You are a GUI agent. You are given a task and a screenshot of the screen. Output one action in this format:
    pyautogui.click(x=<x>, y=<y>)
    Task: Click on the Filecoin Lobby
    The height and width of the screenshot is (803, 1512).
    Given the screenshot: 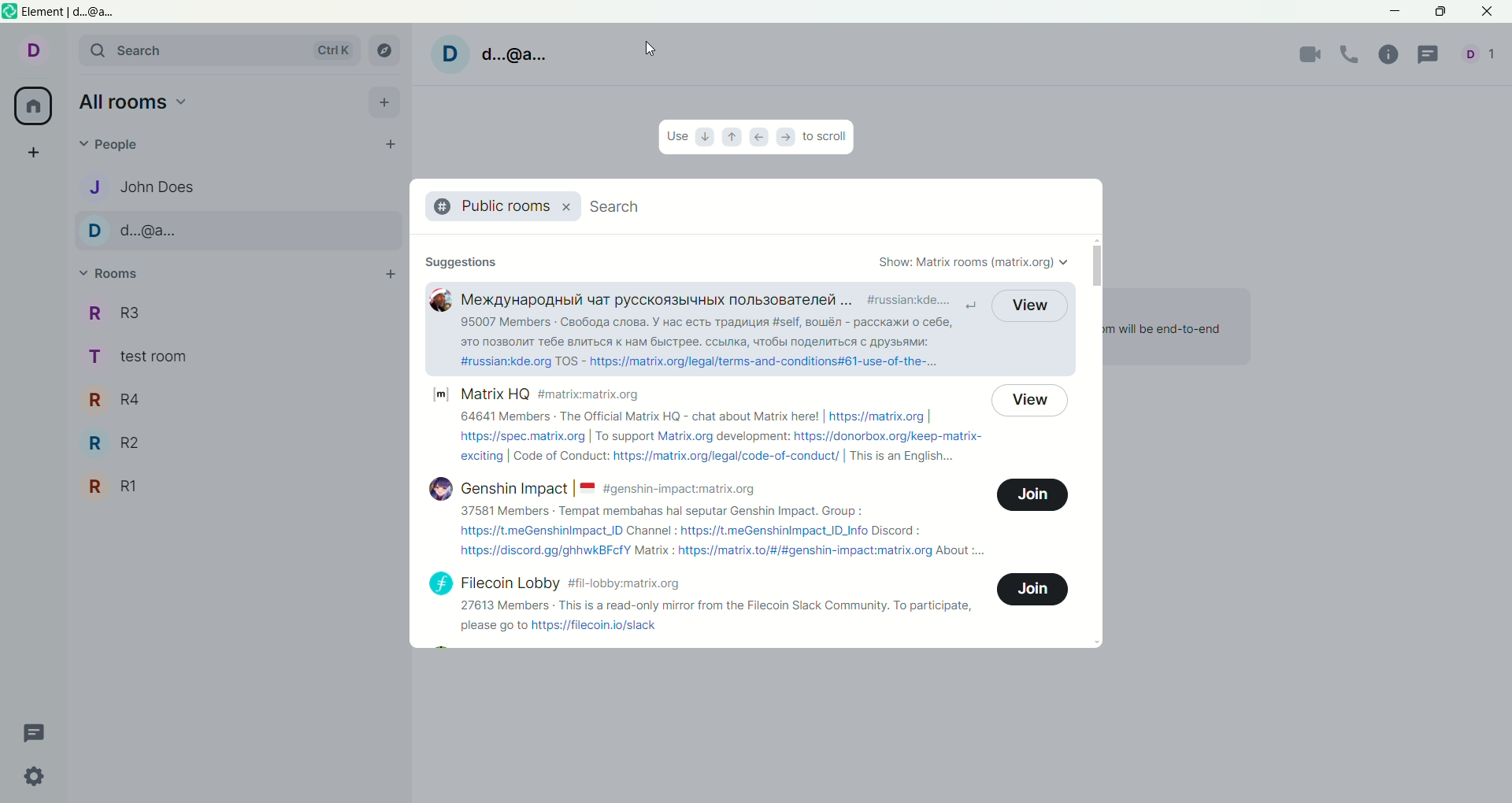 What is the action you would take?
    pyautogui.click(x=511, y=583)
    